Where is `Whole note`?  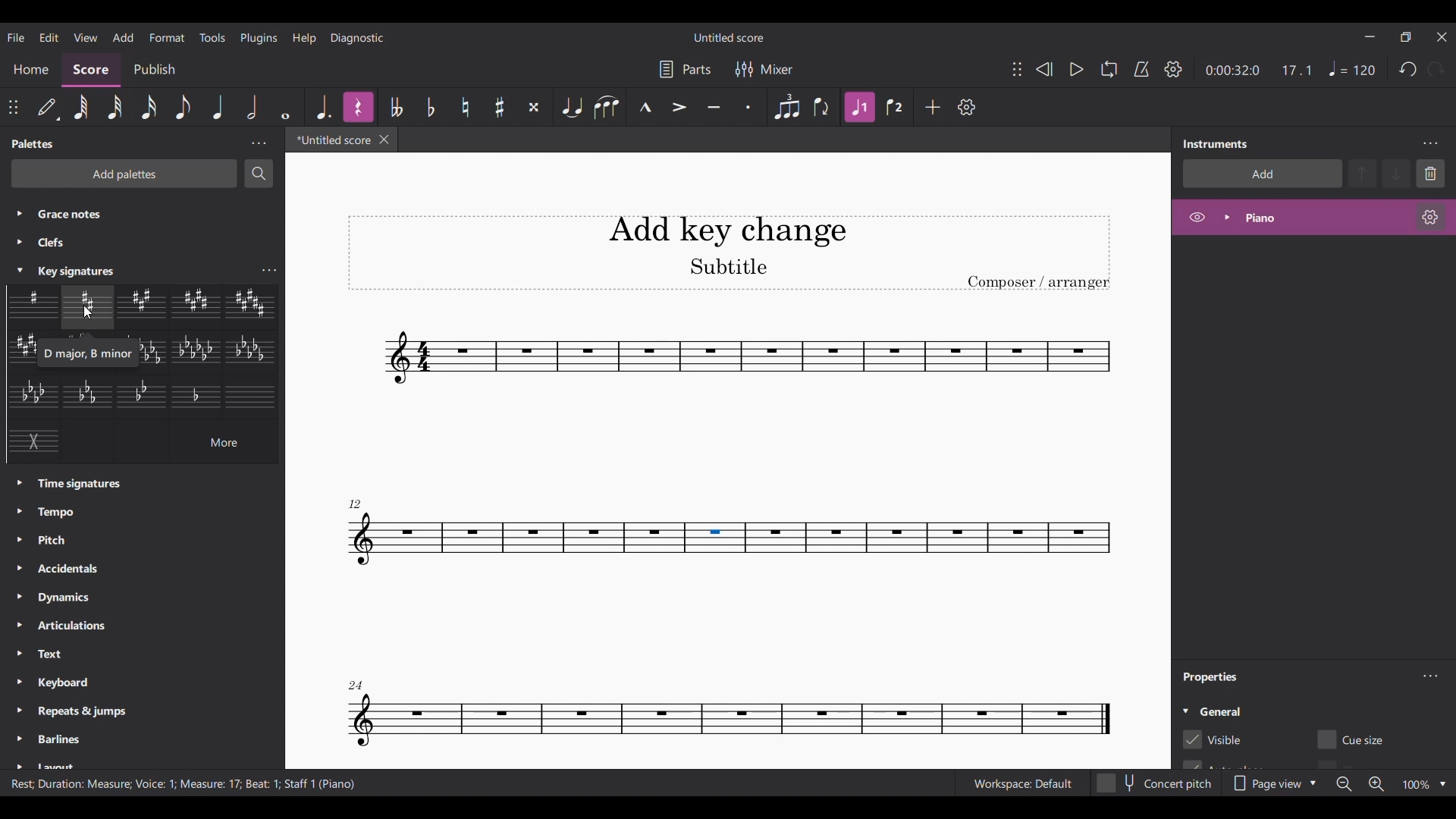
Whole note is located at coordinates (285, 108).